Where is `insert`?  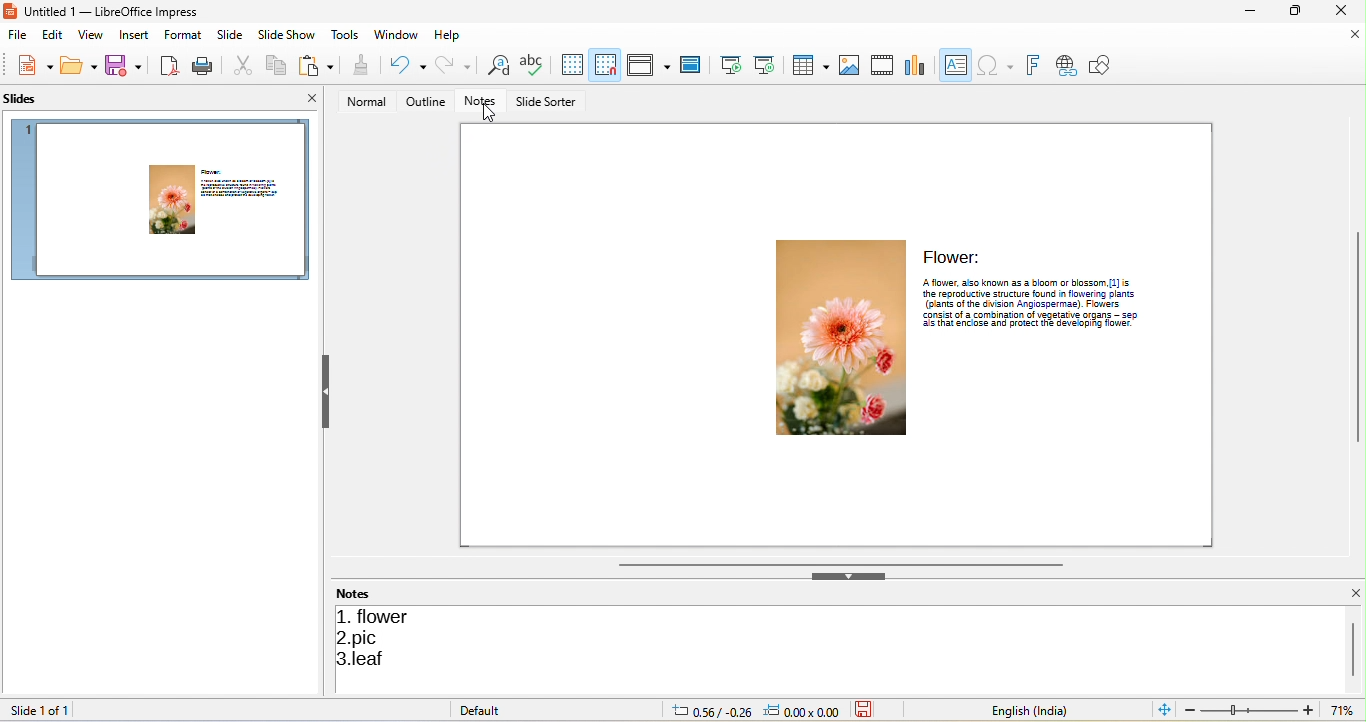 insert is located at coordinates (134, 35).